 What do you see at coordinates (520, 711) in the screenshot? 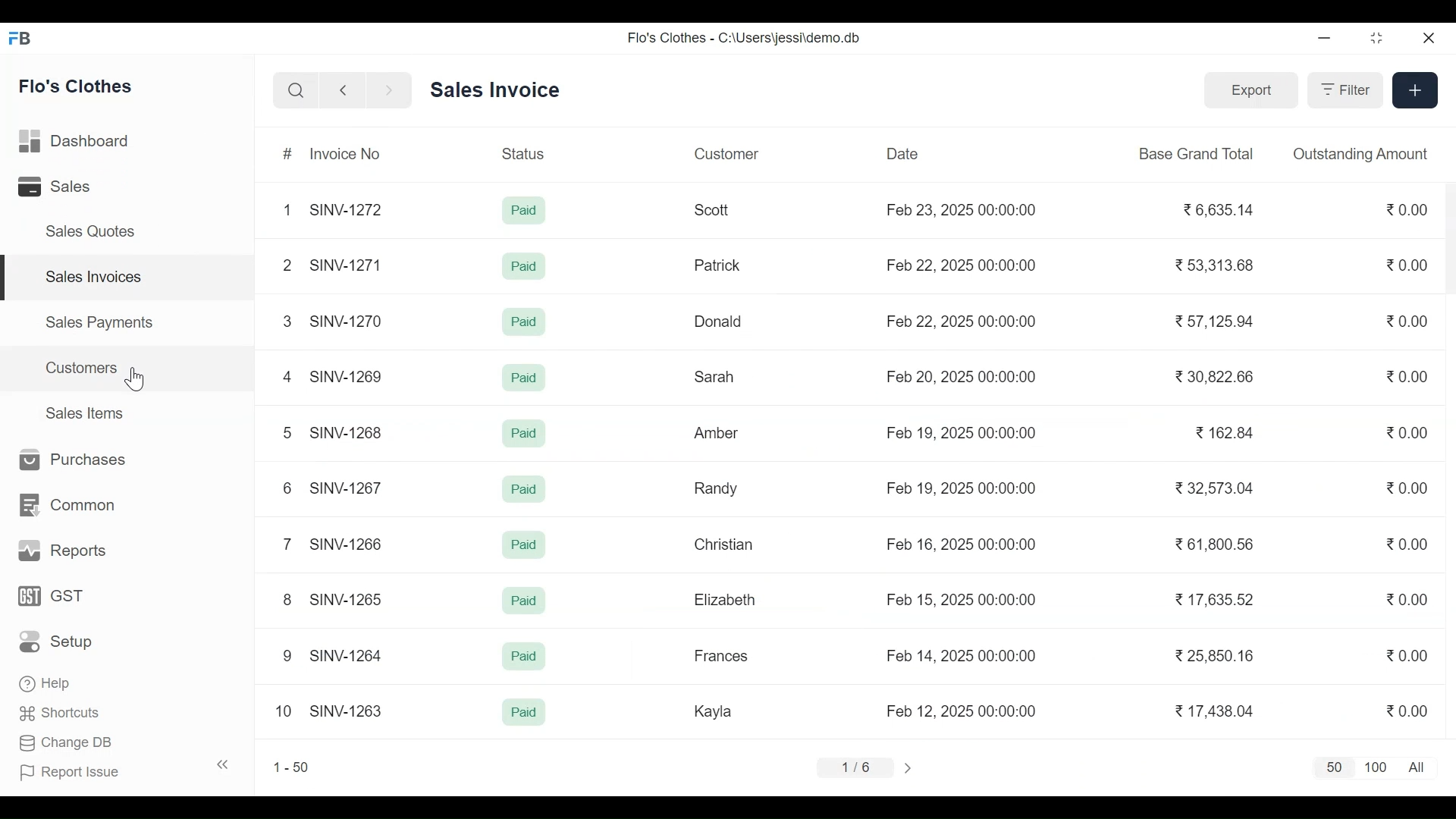
I see `Paid` at bounding box center [520, 711].